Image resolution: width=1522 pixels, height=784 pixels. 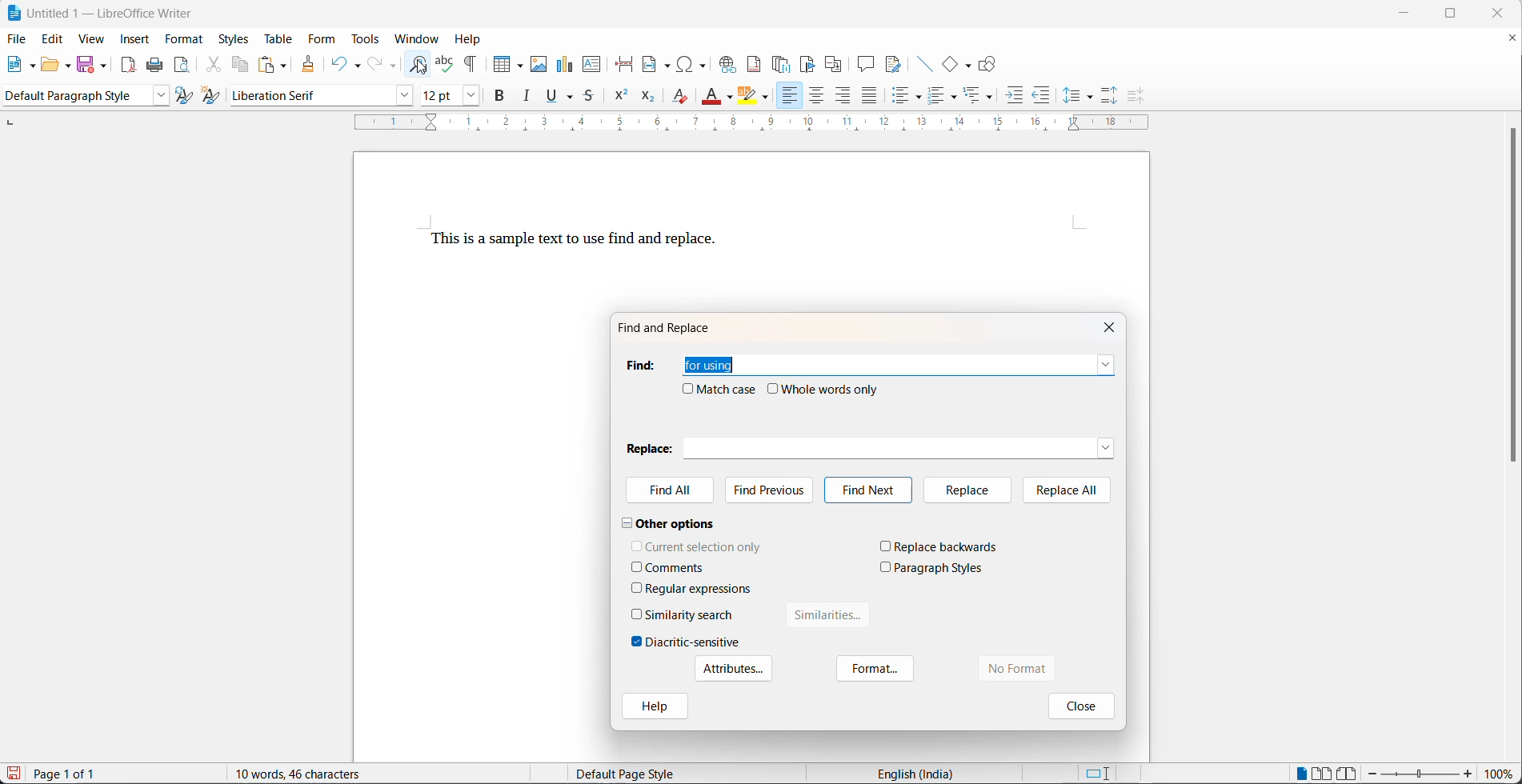 What do you see at coordinates (831, 389) in the screenshot?
I see `whole words only` at bounding box center [831, 389].